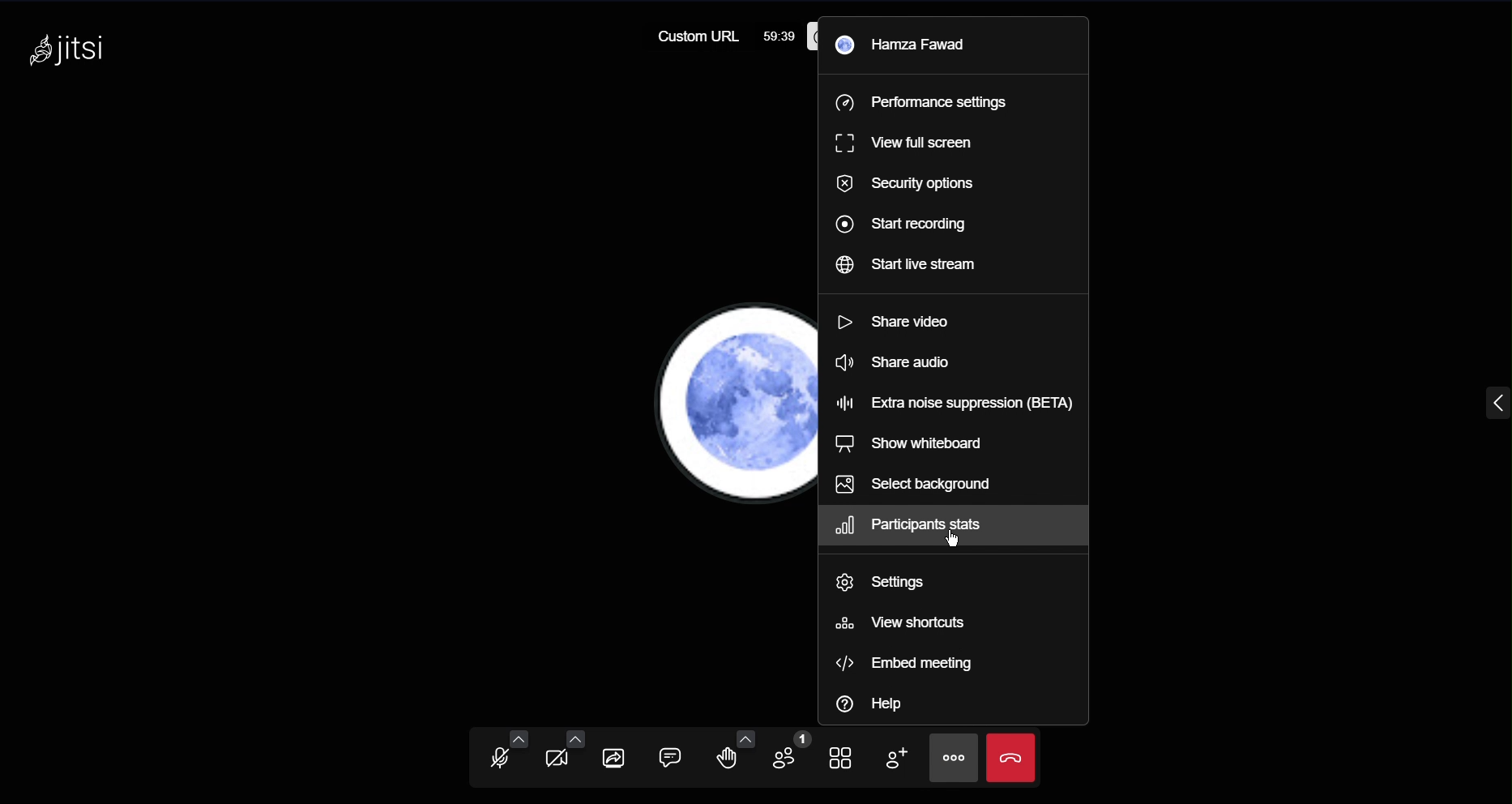 Image resolution: width=1512 pixels, height=804 pixels. I want to click on Participants, so click(792, 755).